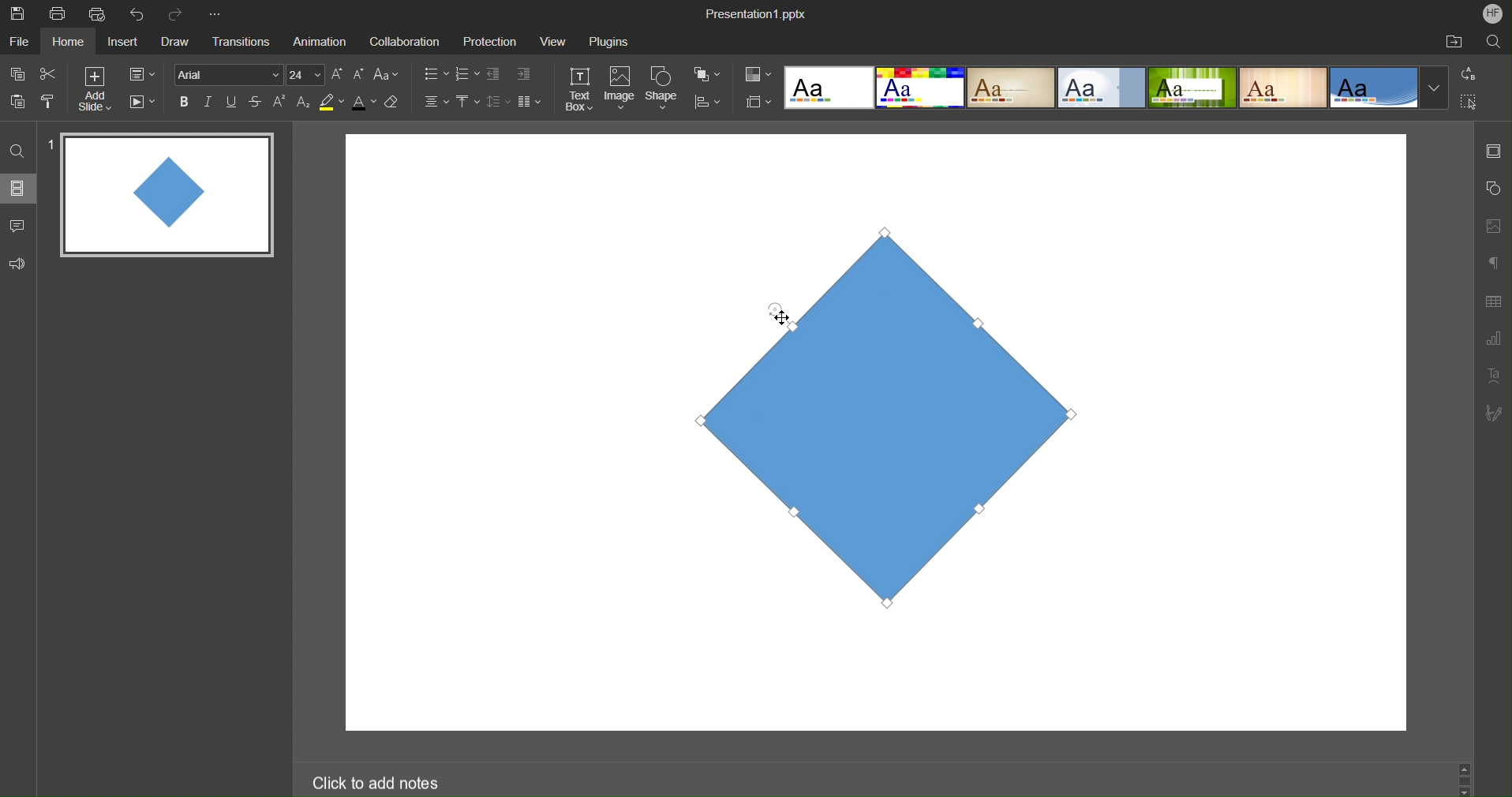 The image size is (1512, 797). I want to click on Playback, so click(143, 103).